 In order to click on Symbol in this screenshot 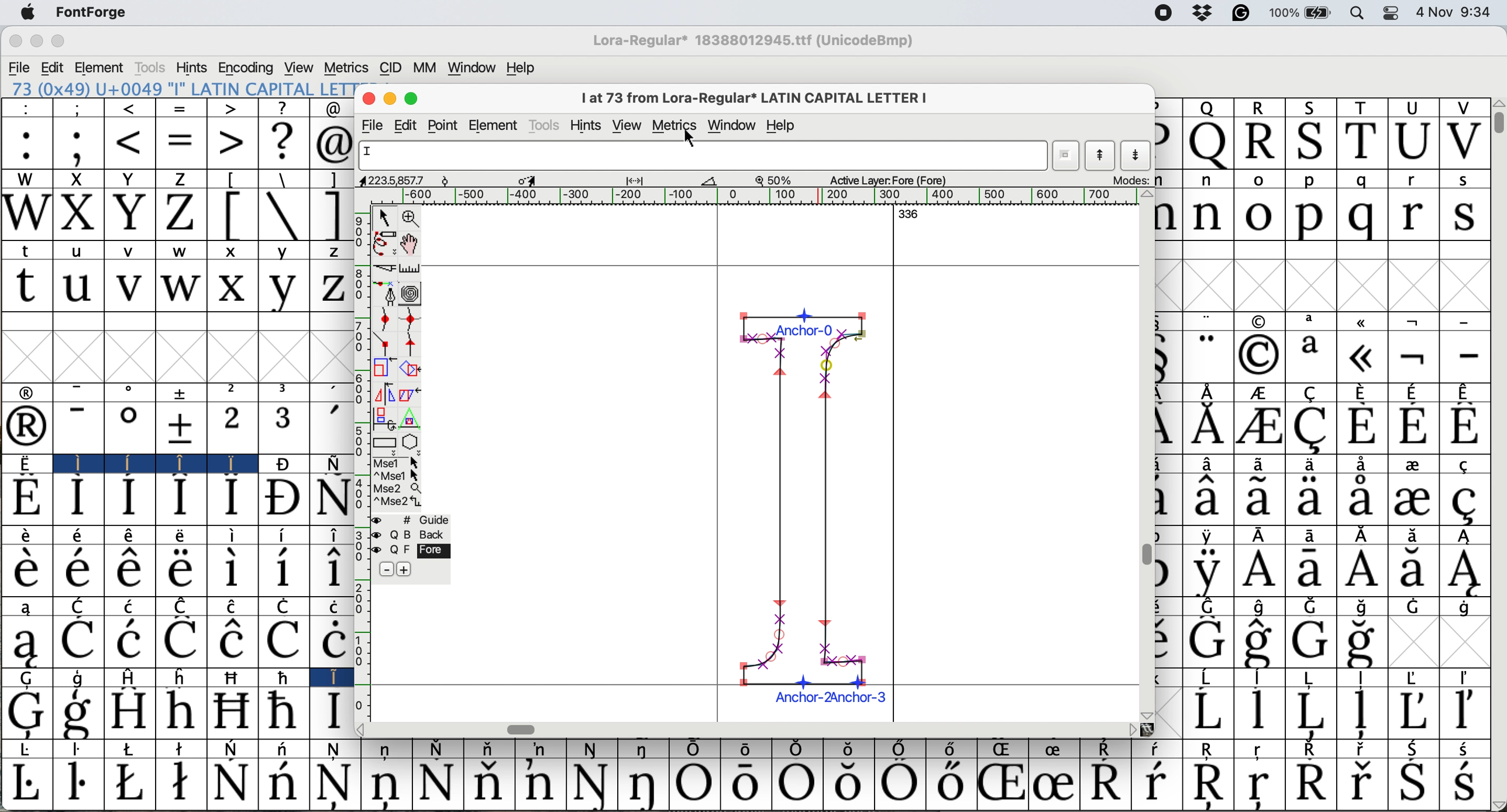, I will do `click(285, 677)`.